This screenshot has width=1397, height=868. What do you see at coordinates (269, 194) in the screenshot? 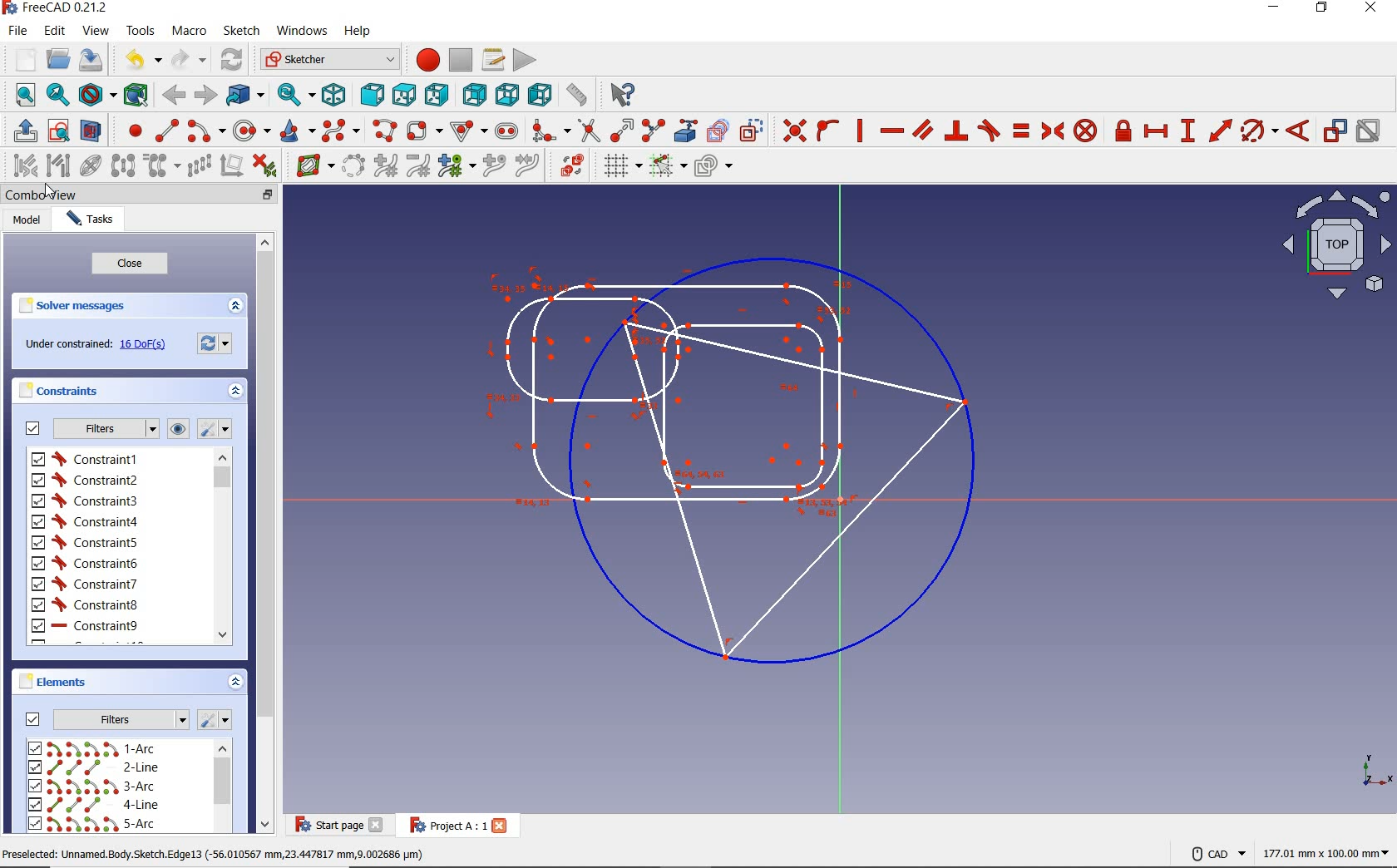
I see `restore down` at bounding box center [269, 194].